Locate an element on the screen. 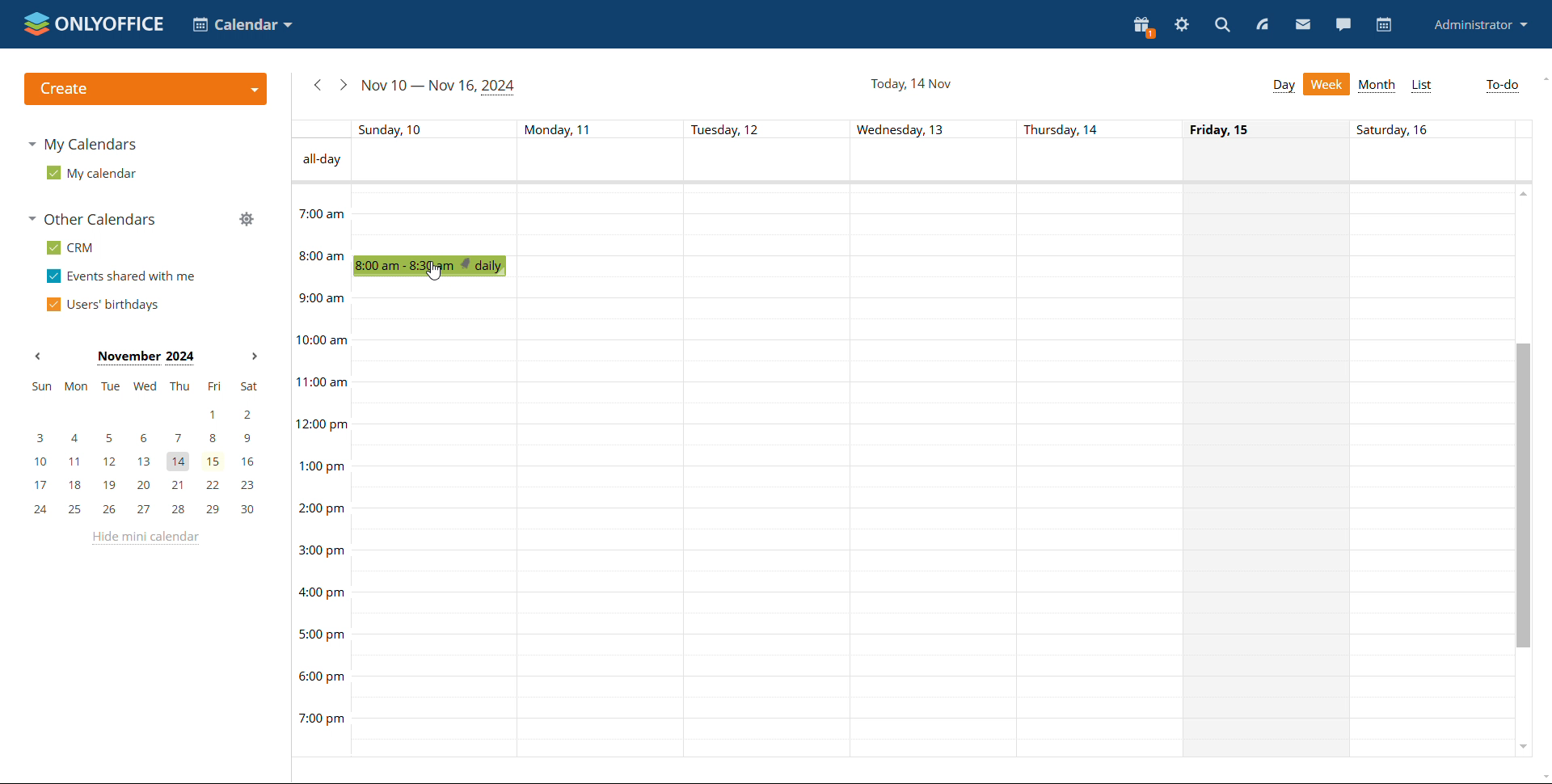  other calendars is located at coordinates (91, 219).